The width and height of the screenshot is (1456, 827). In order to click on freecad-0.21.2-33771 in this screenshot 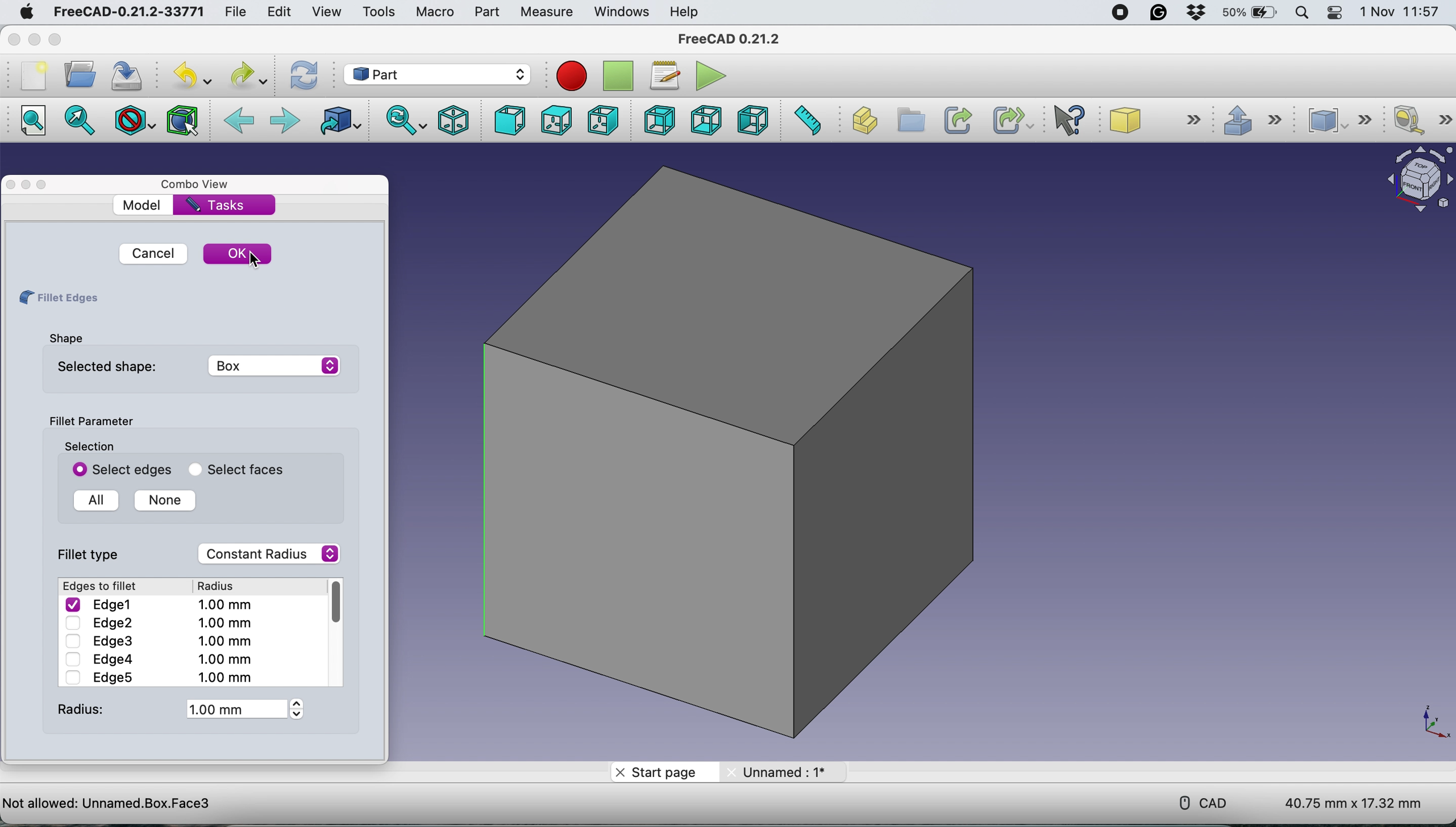, I will do `click(125, 12)`.